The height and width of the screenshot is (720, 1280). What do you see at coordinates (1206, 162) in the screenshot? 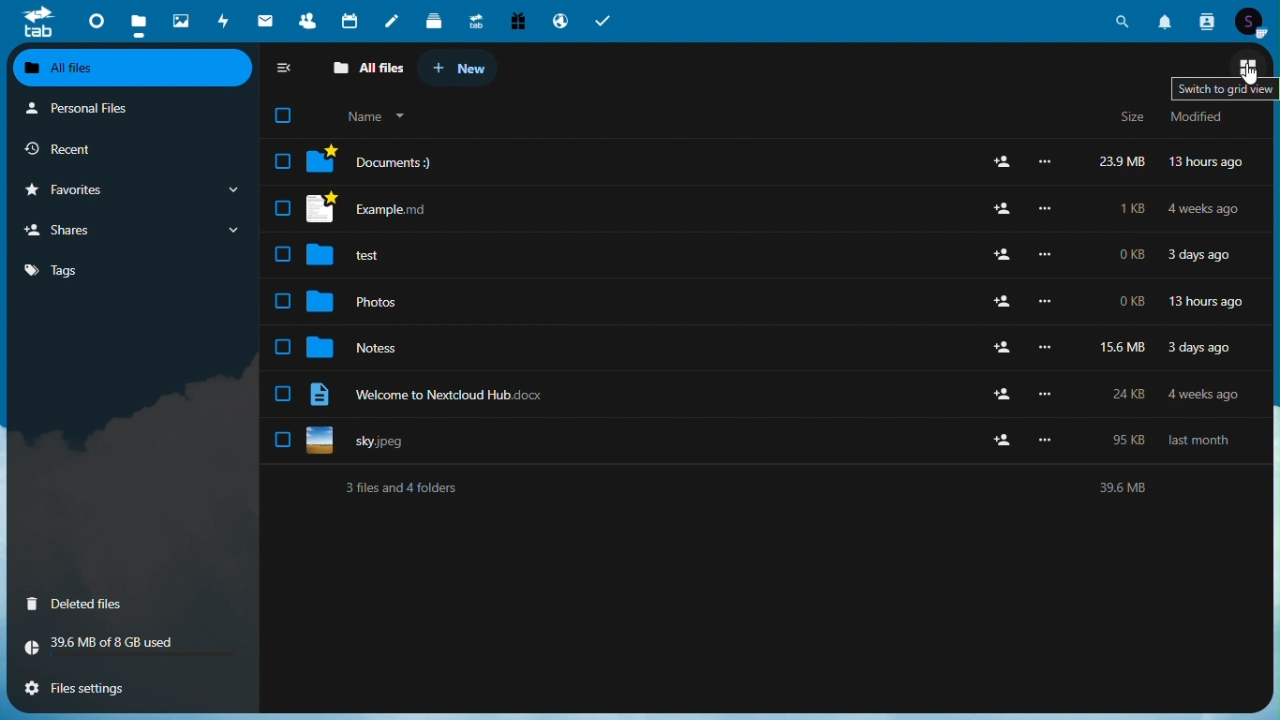
I see `13 hours ago` at bounding box center [1206, 162].